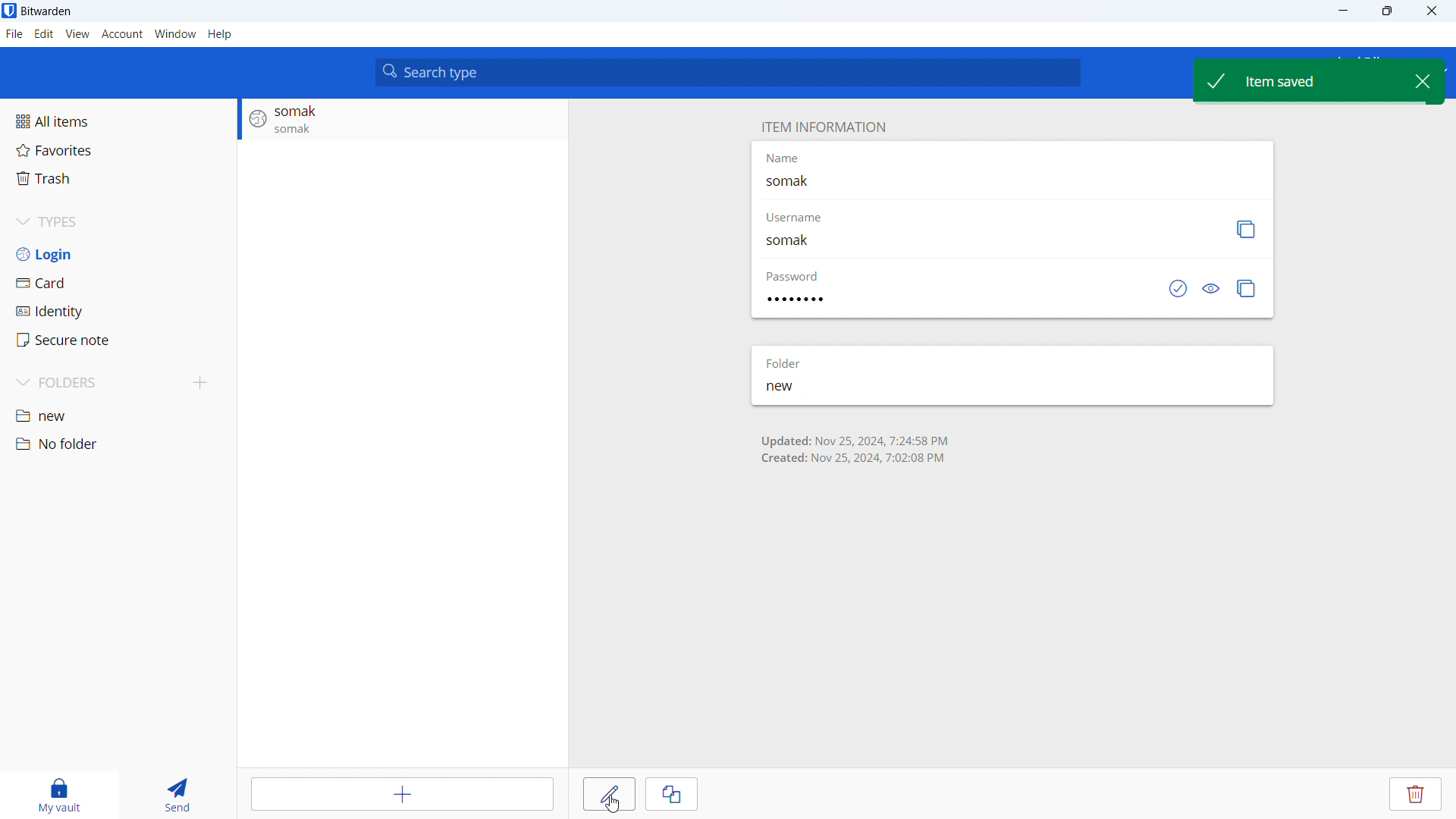  Describe the element at coordinates (821, 126) in the screenshot. I see `item information` at that location.